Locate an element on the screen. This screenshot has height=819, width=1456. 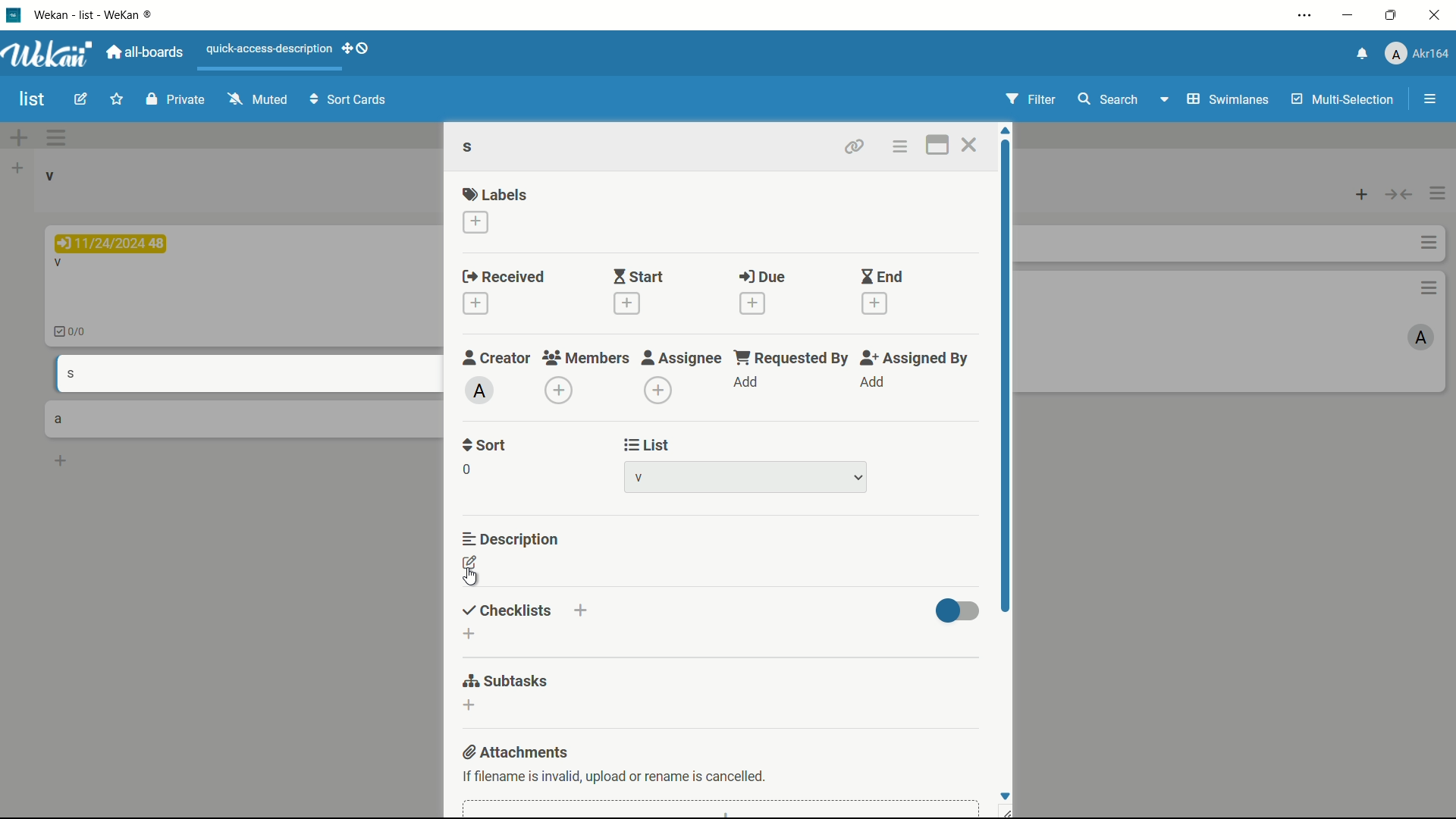
s is located at coordinates (472, 146).